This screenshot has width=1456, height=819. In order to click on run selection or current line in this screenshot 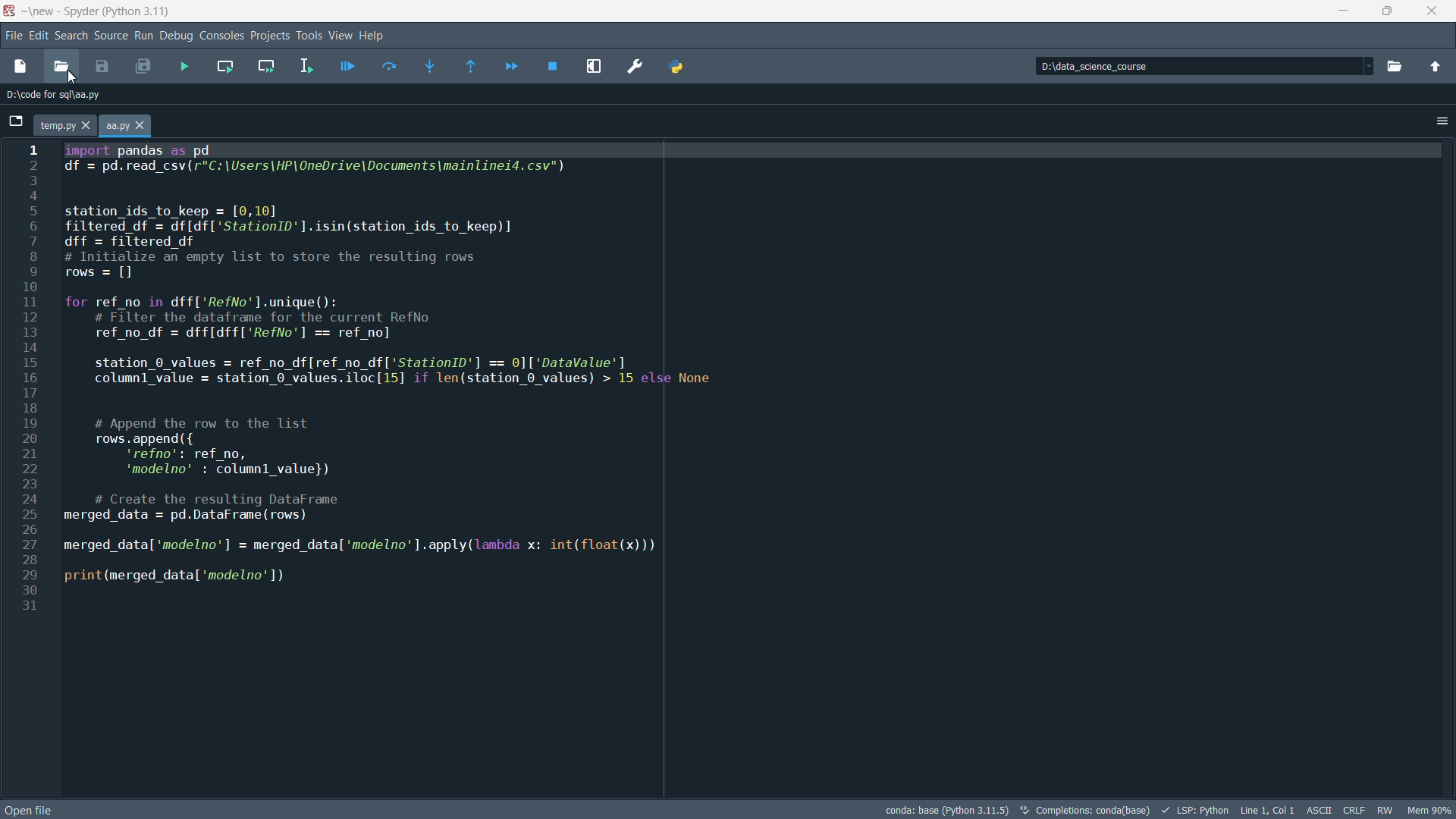, I will do `click(307, 64)`.